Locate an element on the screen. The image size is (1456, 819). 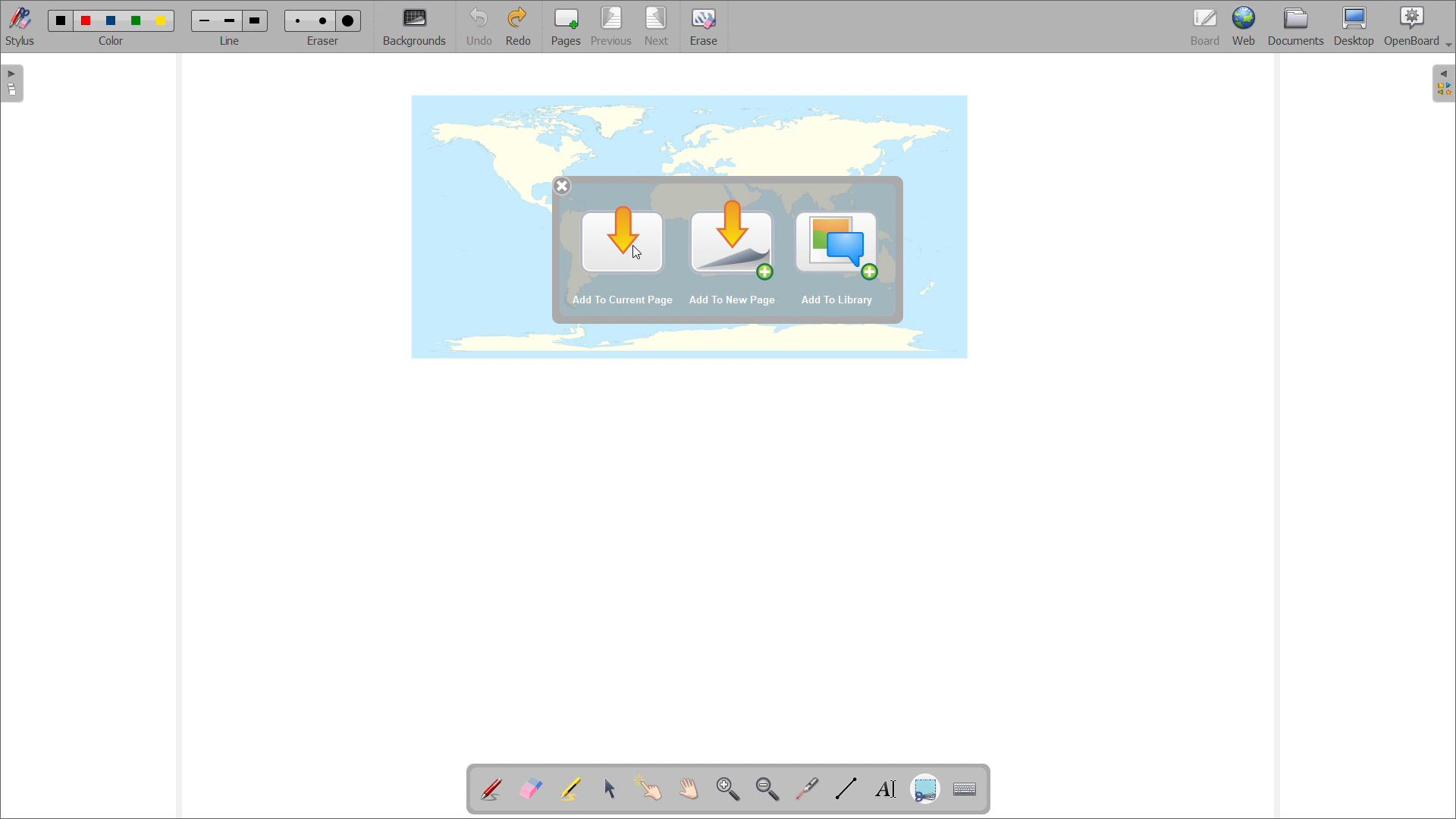
interact with items is located at coordinates (649, 787).